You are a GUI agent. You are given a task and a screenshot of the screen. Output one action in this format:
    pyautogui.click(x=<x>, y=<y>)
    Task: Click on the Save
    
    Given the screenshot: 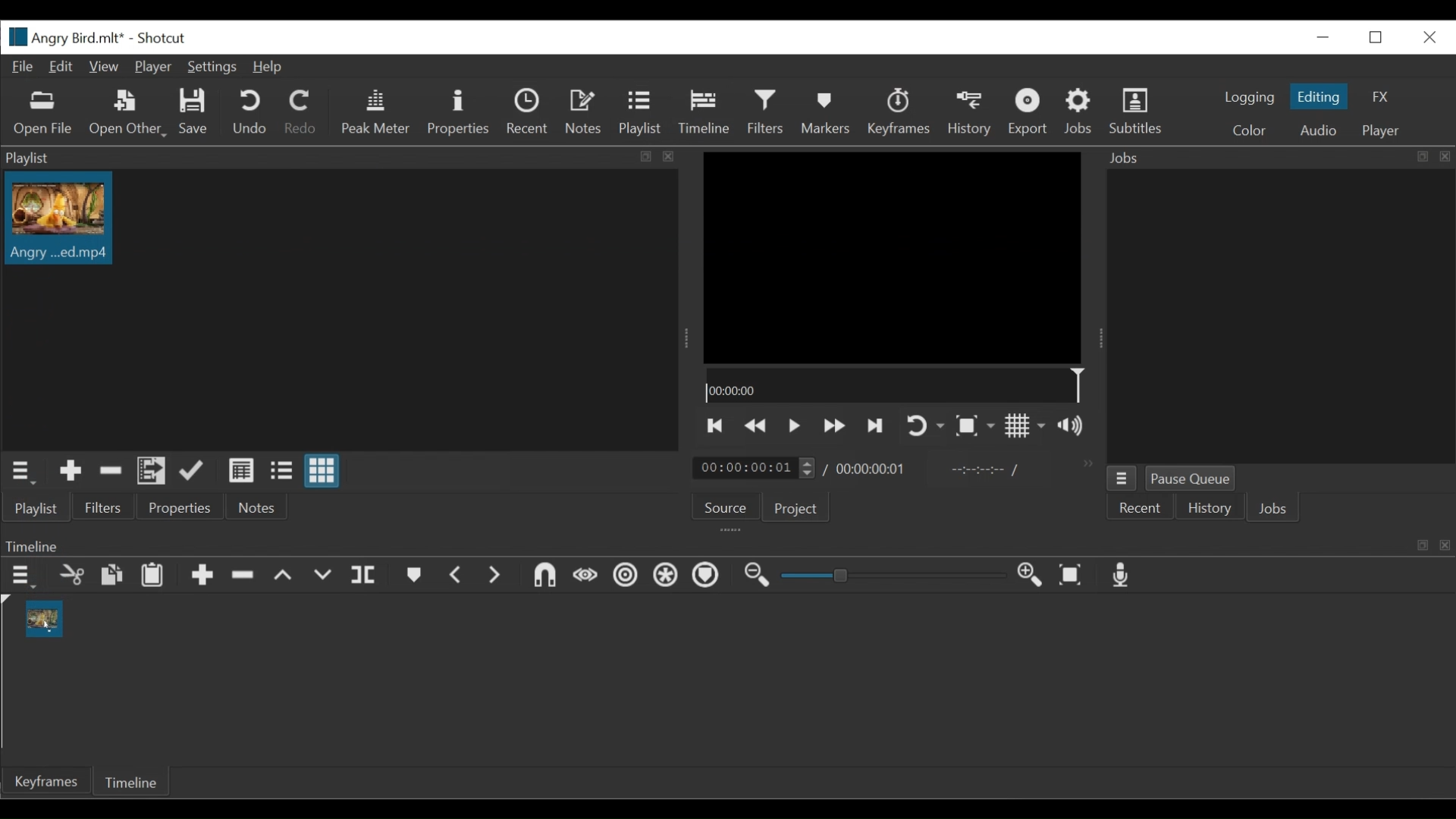 What is the action you would take?
    pyautogui.click(x=194, y=111)
    